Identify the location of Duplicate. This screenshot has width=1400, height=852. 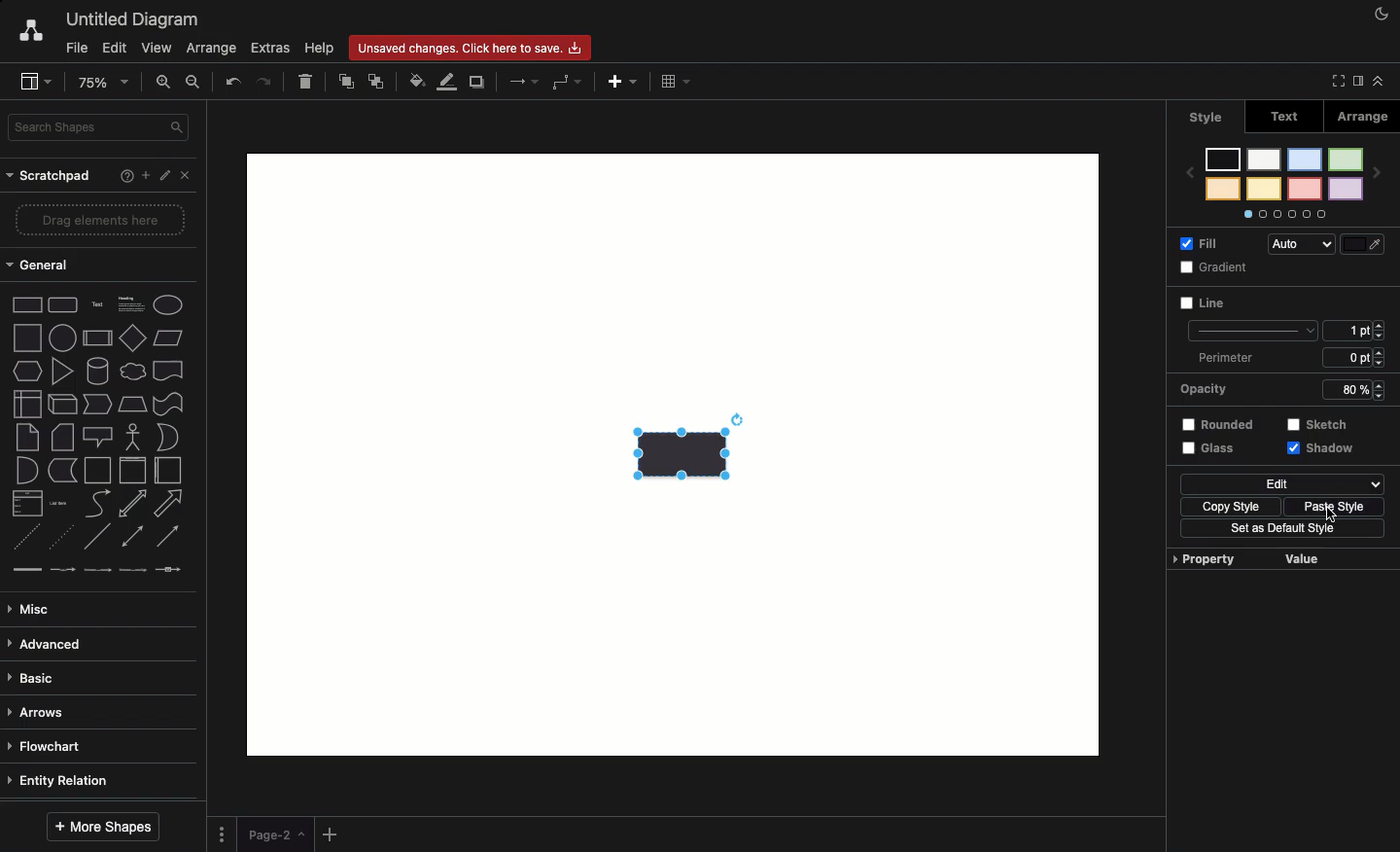
(477, 83).